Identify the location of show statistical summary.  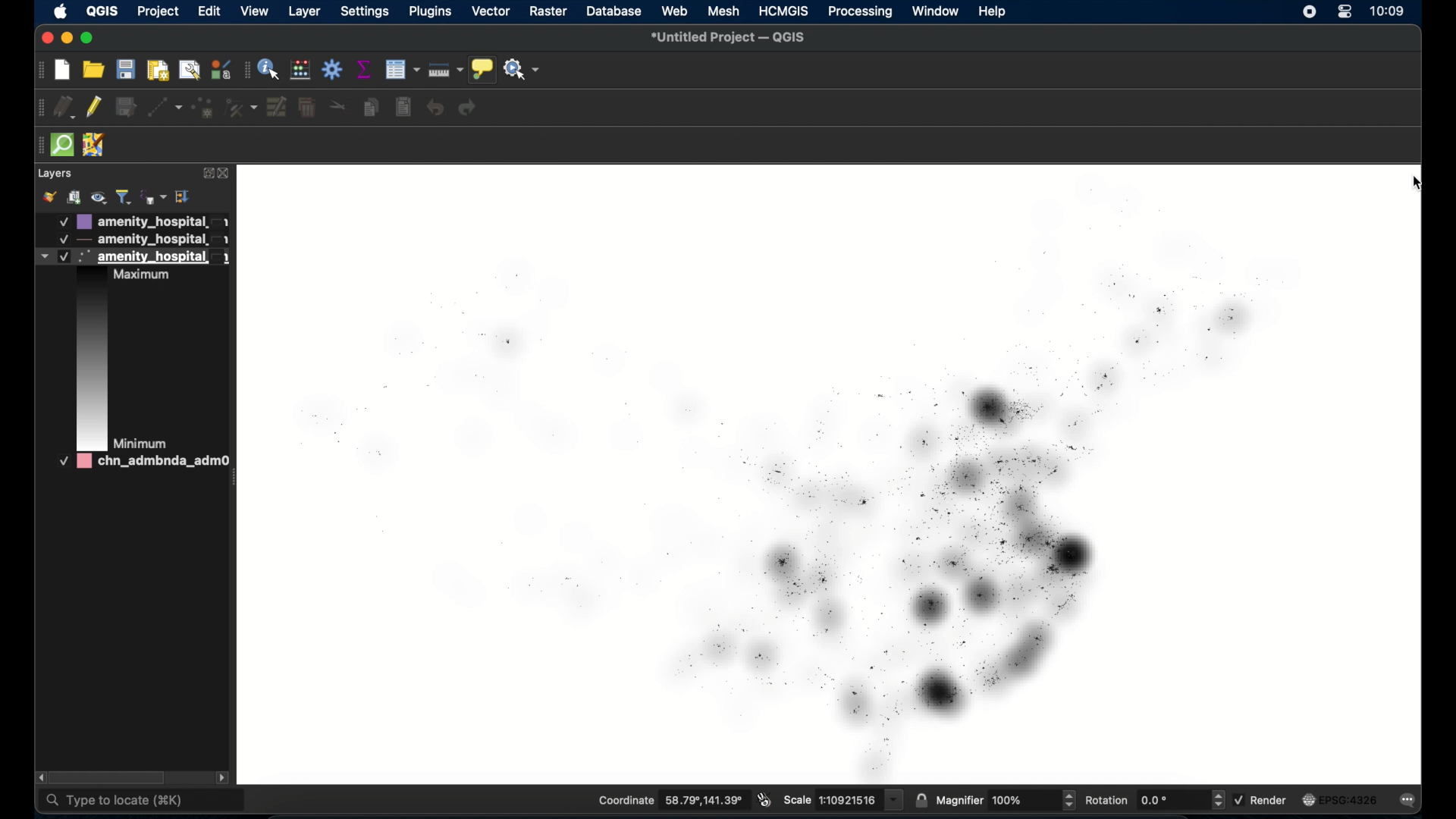
(365, 70).